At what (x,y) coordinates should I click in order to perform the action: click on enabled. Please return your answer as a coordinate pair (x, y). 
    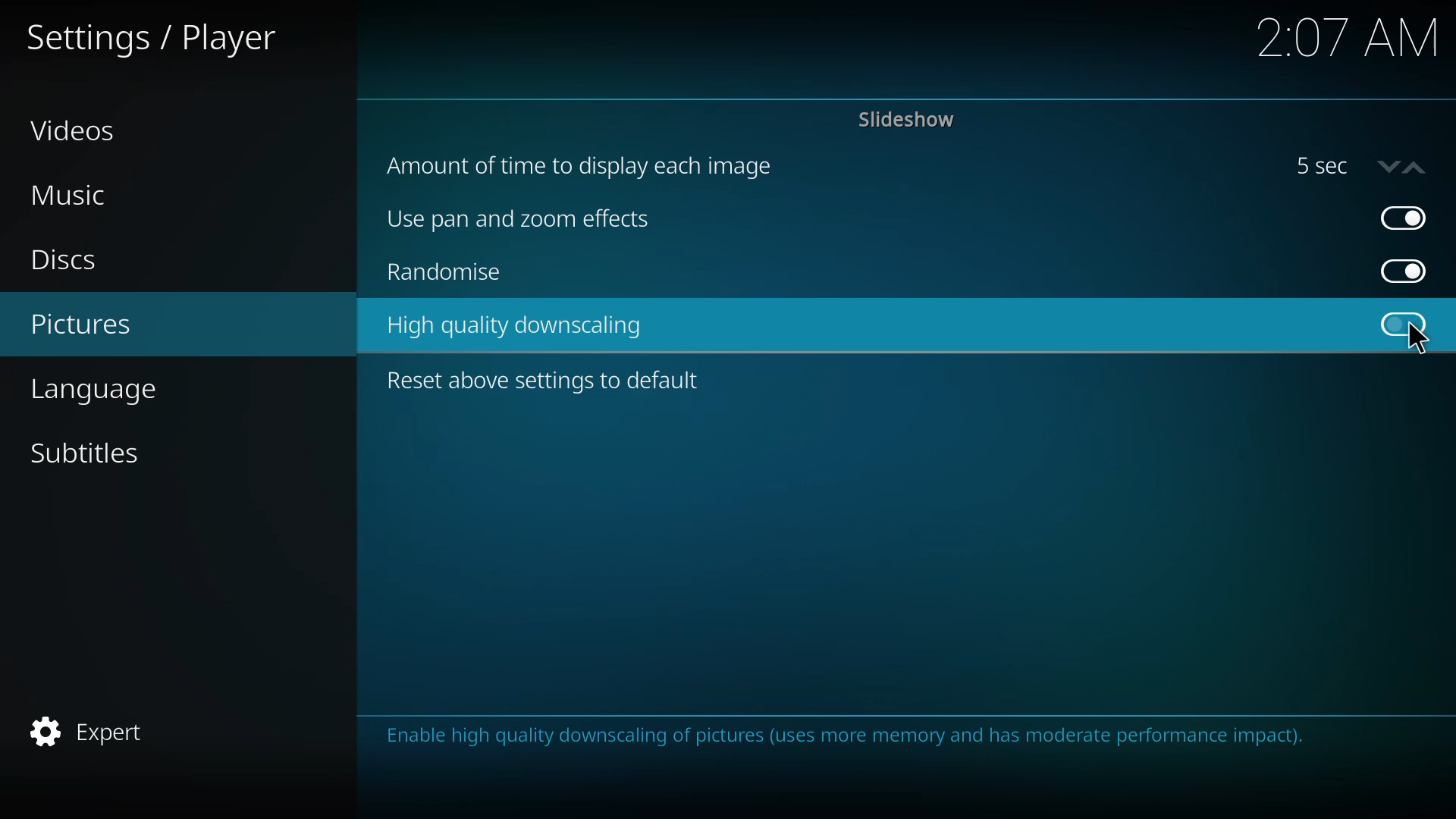
    Looking at the image, I should click on (1407, 271).